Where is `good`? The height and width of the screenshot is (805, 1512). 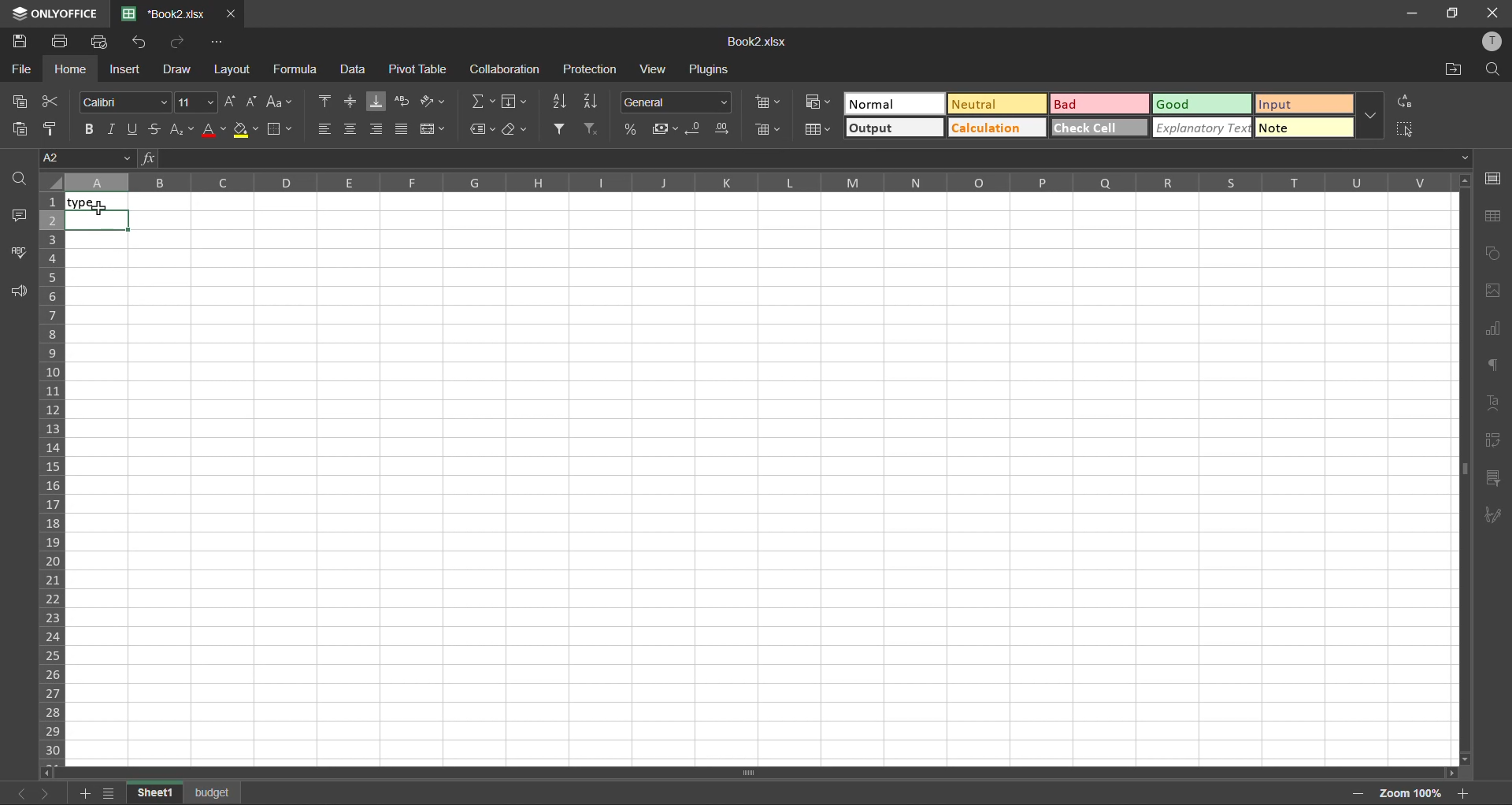
good is located at coordinates (1204, 106).